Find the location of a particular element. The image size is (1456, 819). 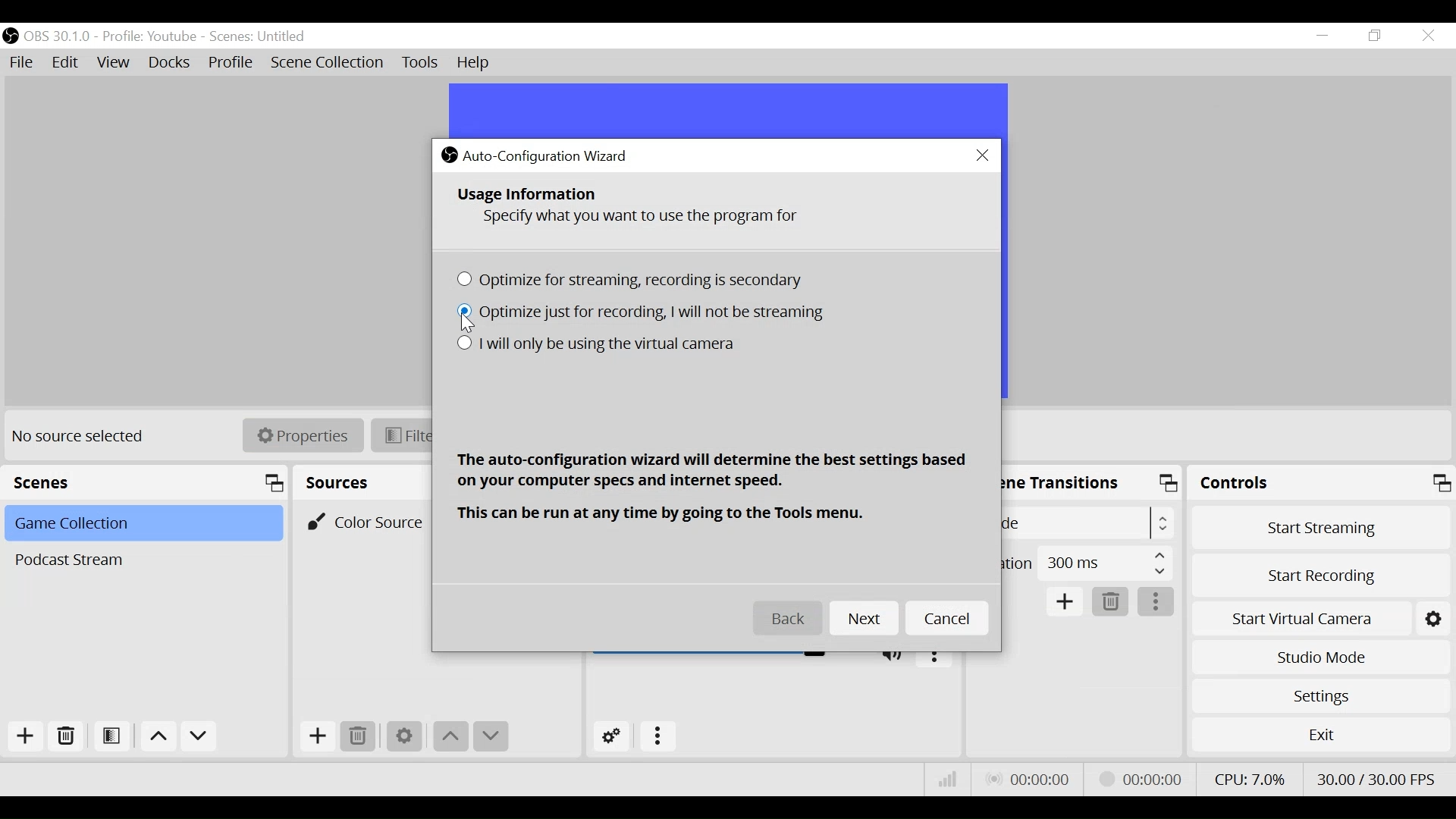

Controls is located at coordinates (1319, 483).